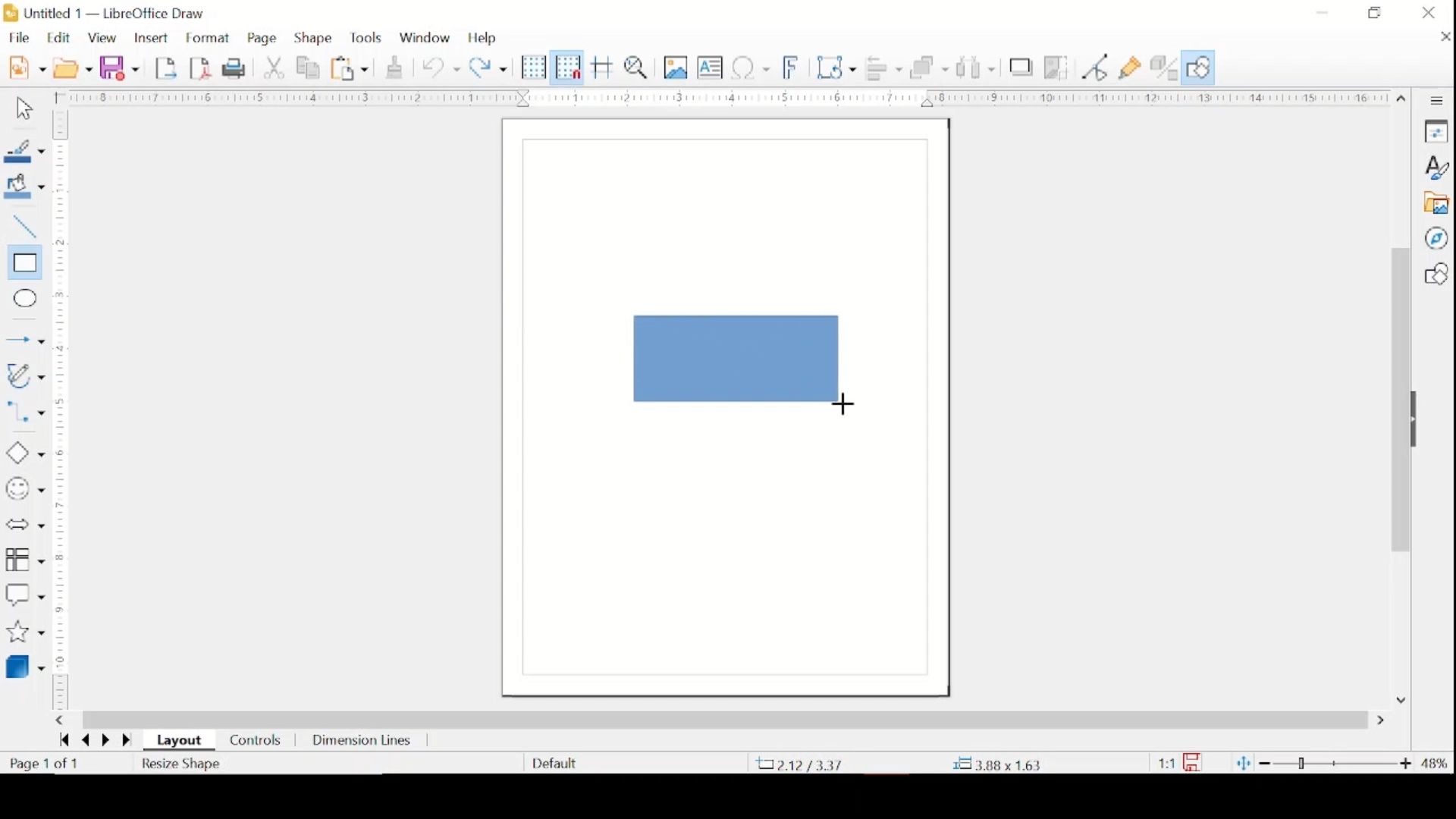 Image resolution: width=1456 pixels, height=819 pixels. Describe the element at coordinates (107, 14) in the screenshot. I see `untitled 1 - libreoffice draw` at that location.